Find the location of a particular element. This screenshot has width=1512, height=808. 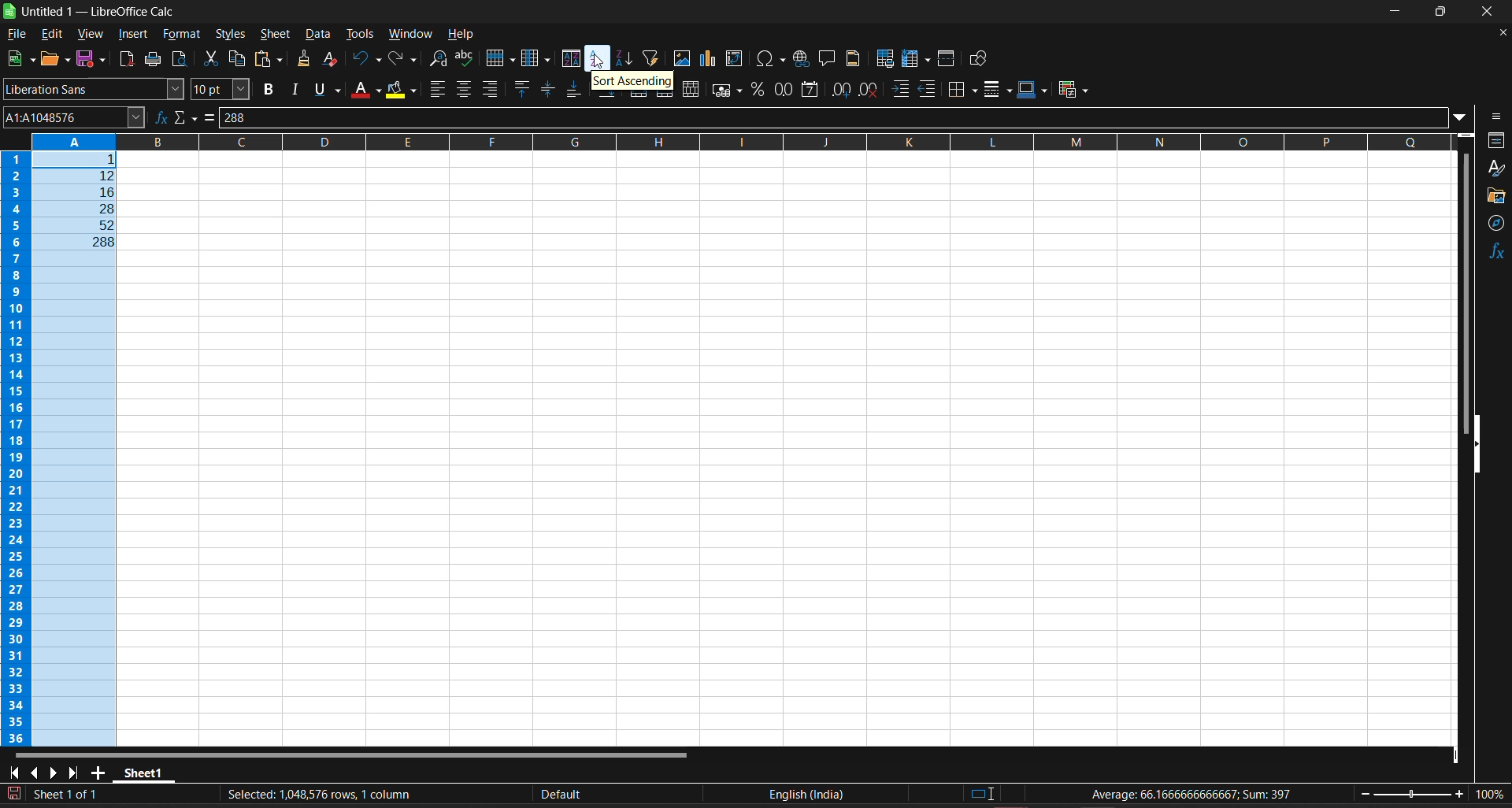

insert or edit pivot table is located at coordinates (735, 59).